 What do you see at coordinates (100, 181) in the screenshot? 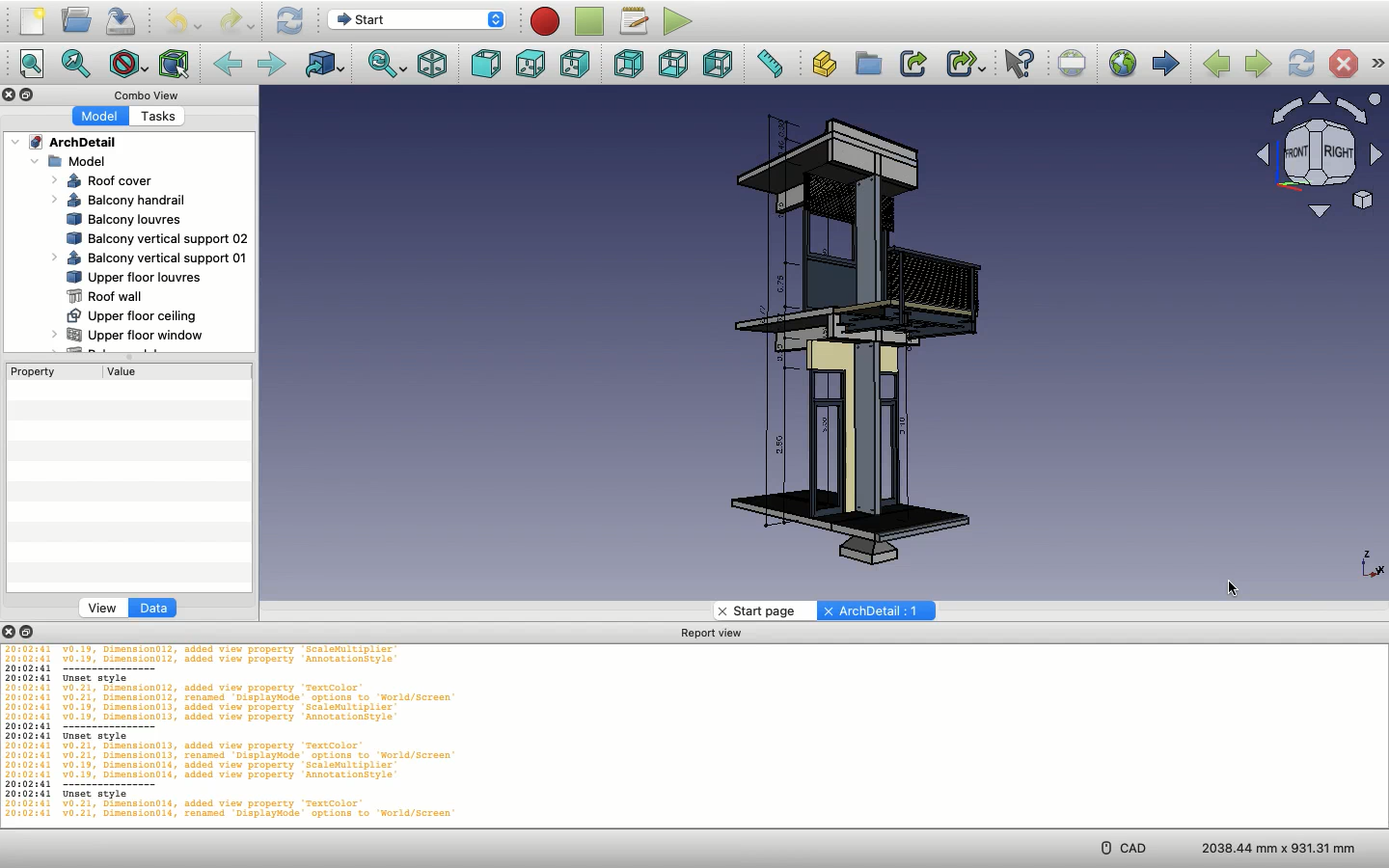
I see `Roof cover` at bounding box center [100, 181].